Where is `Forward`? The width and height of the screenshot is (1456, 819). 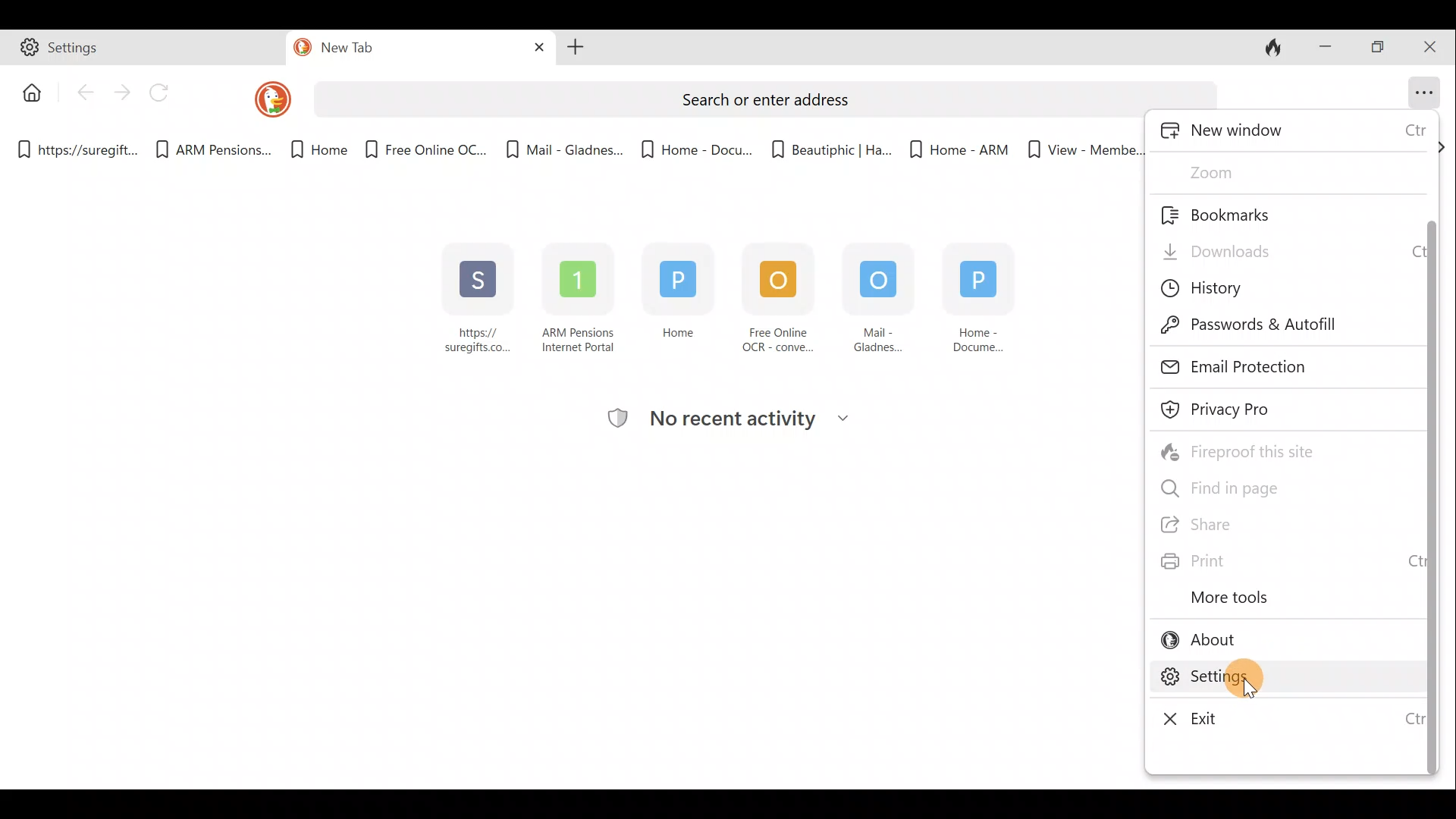
Forward is located at coordinates (121, 93).